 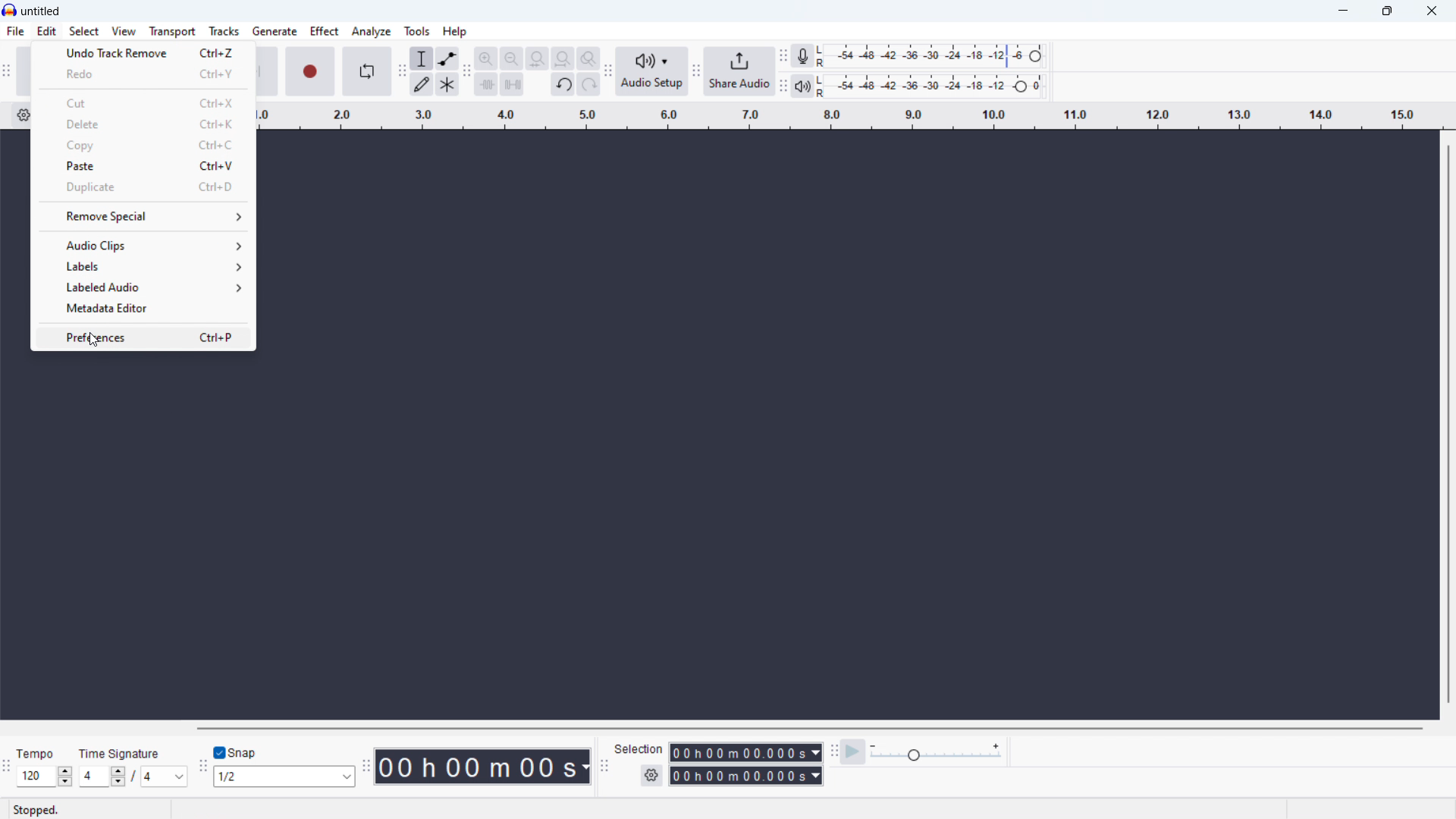 I want to click on zoom in, so click(x=485, y=58).